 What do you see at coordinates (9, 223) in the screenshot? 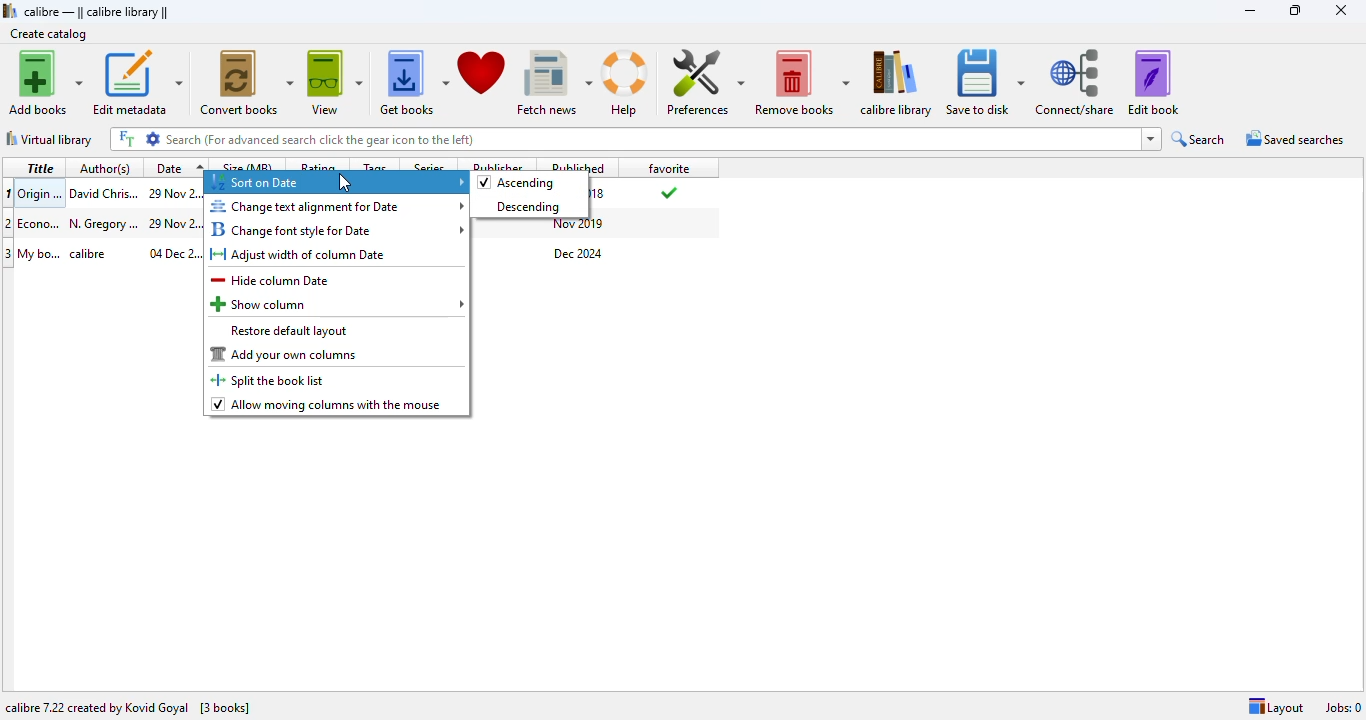
I see `2` at bounding box center [9, 223].